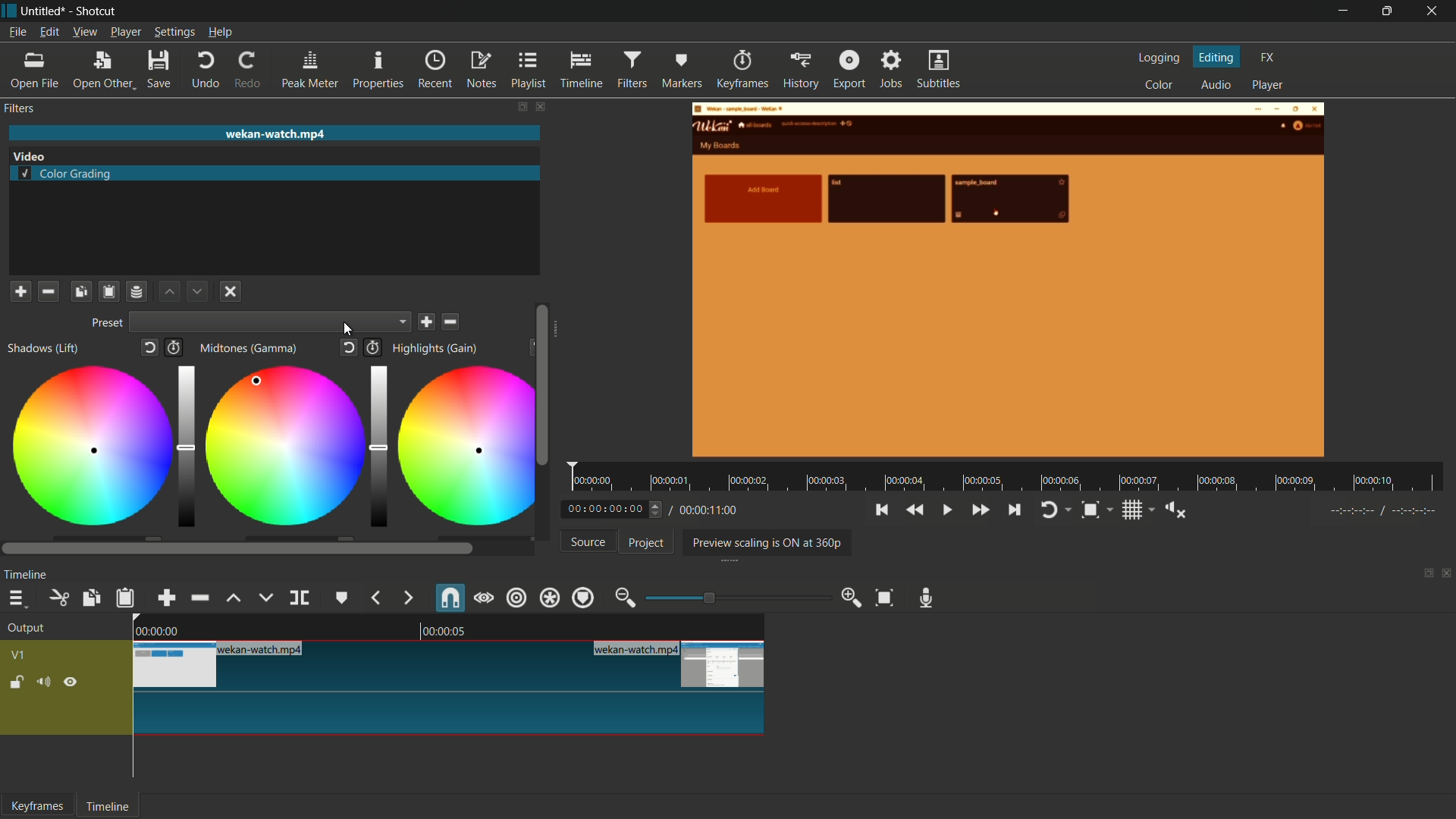  I want to click on color adjustment, so click(461, 447).